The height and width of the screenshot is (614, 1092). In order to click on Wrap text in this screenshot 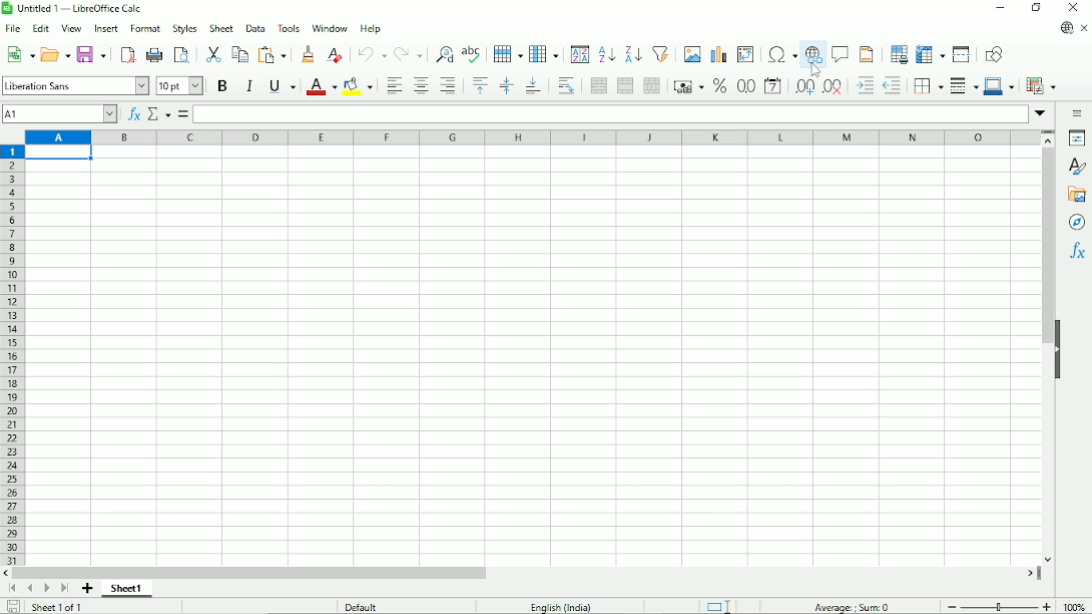, I will do `click(564, 86)`.